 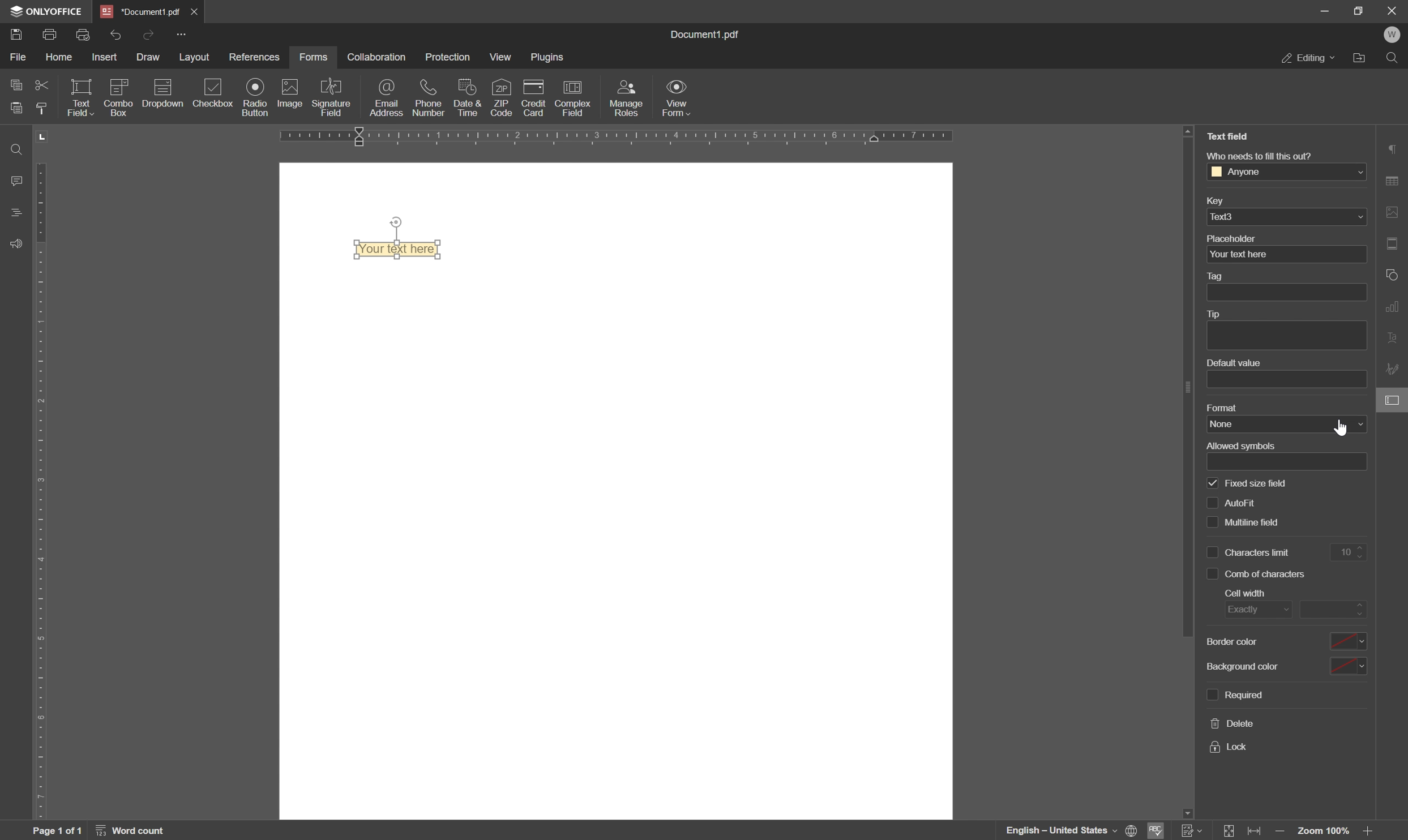 What do you see at coordinates (1308, 59) in the screenshot?
I see `editing` at bounding box center [1308, 59].